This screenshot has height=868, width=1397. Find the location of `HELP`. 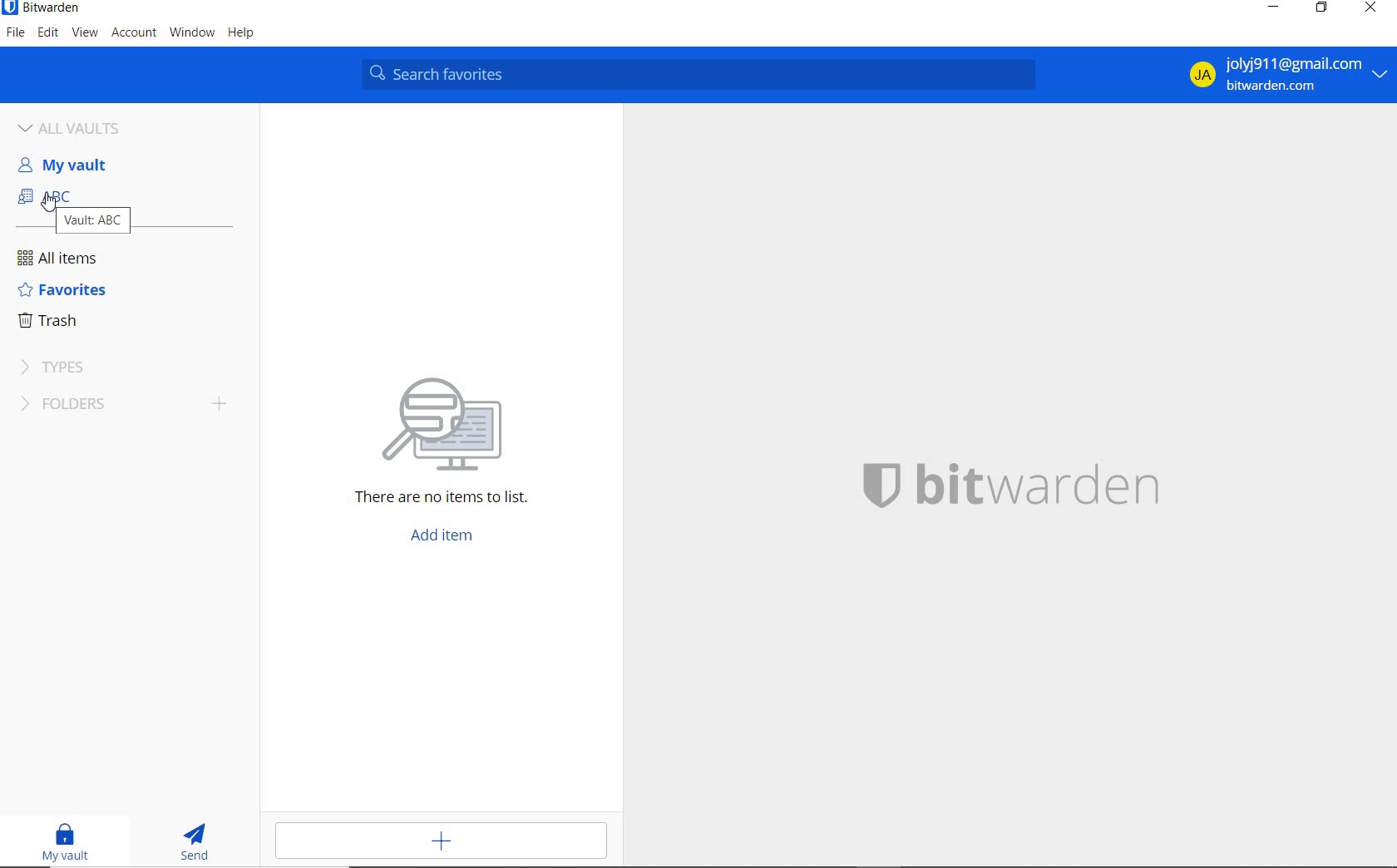

HELP is located at coordinates (241, 34).